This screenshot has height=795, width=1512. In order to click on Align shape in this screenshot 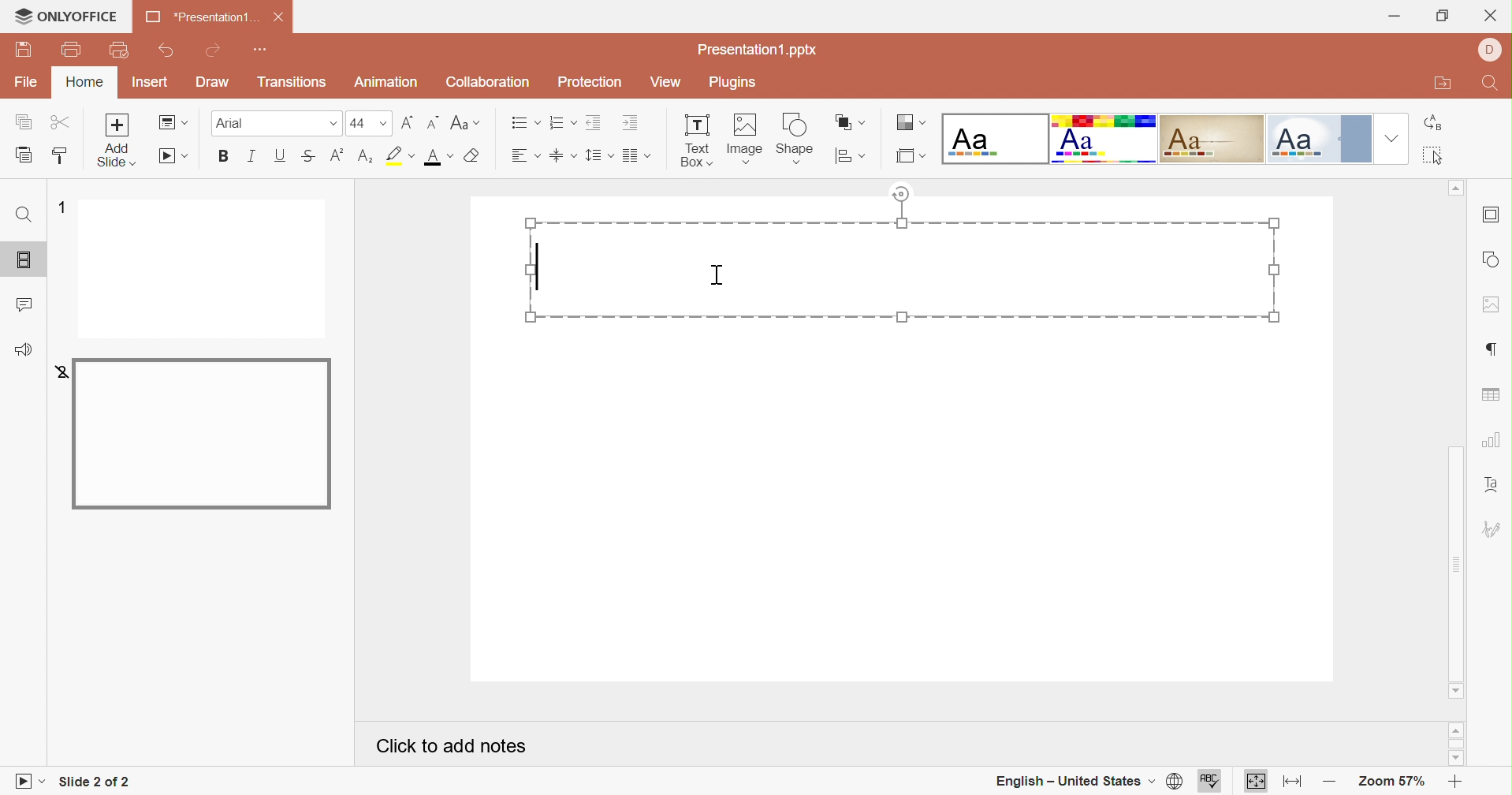, I will do `click(851, 158)`.